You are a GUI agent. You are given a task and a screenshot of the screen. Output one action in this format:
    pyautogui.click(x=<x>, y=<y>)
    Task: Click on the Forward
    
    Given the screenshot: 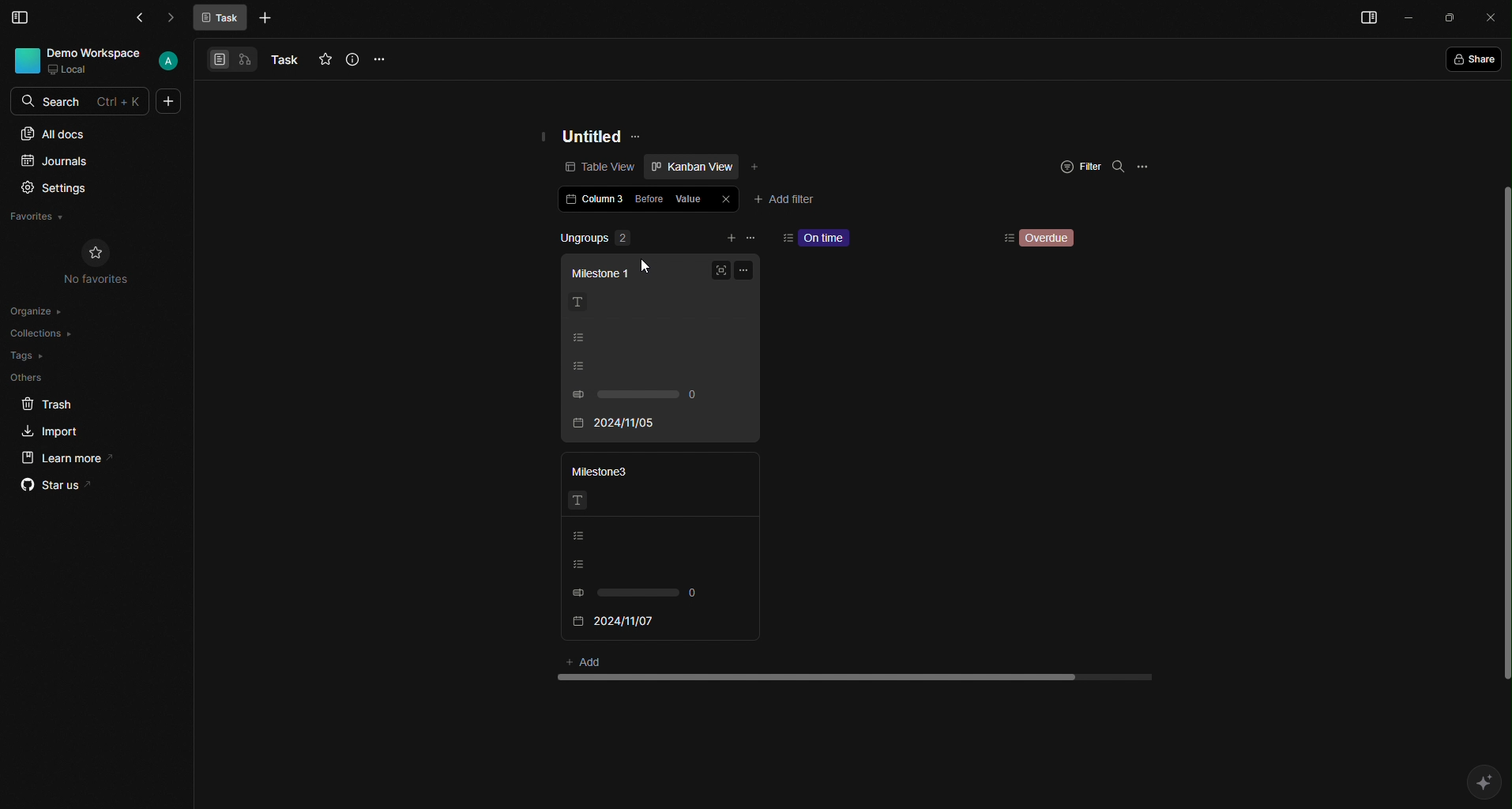 What is the action you would take?
    pyautogui.click(x=169, y=18)
    